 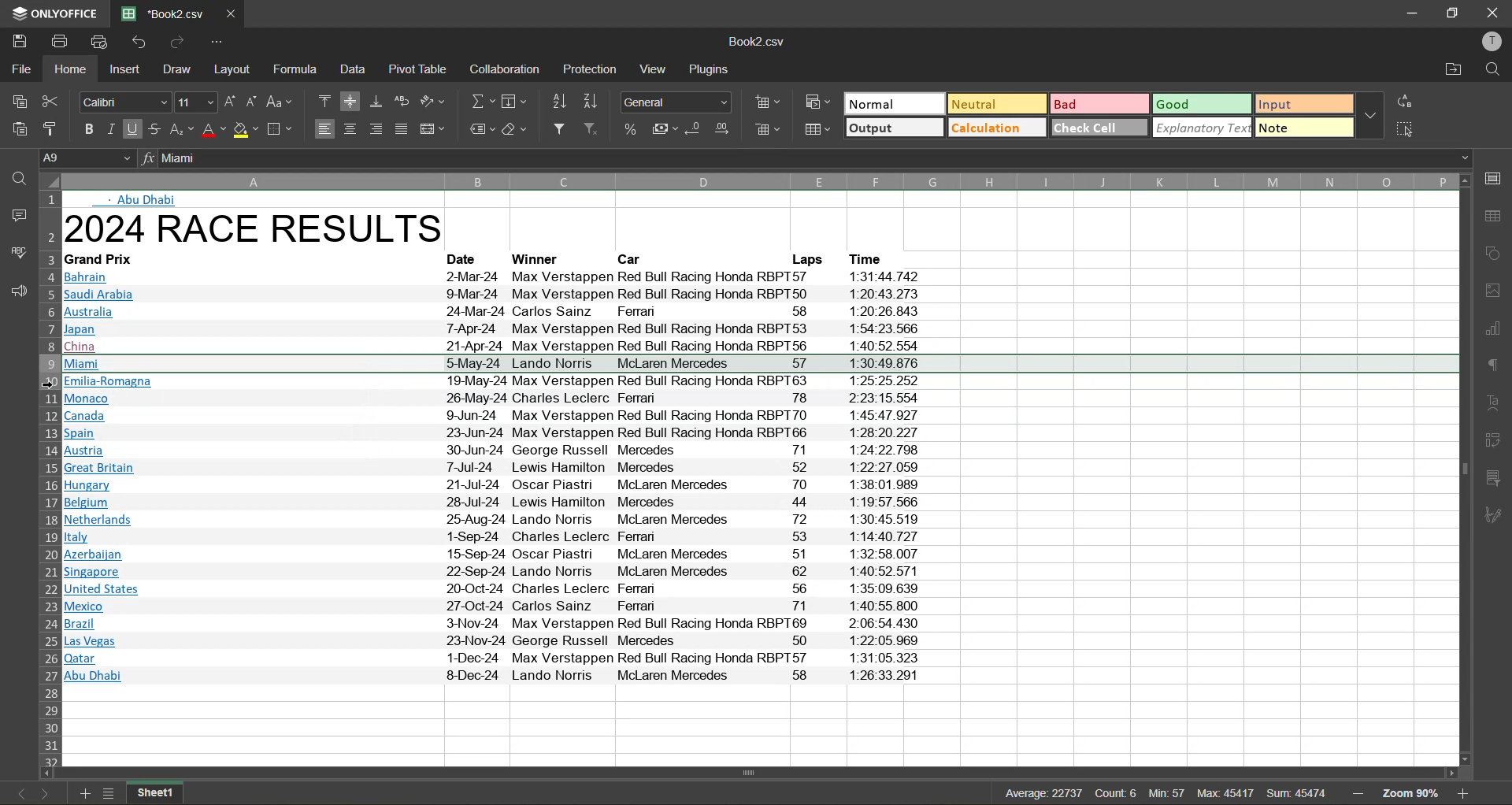 I want to click on customize quick access toolbar, so click(x=218, y=43).